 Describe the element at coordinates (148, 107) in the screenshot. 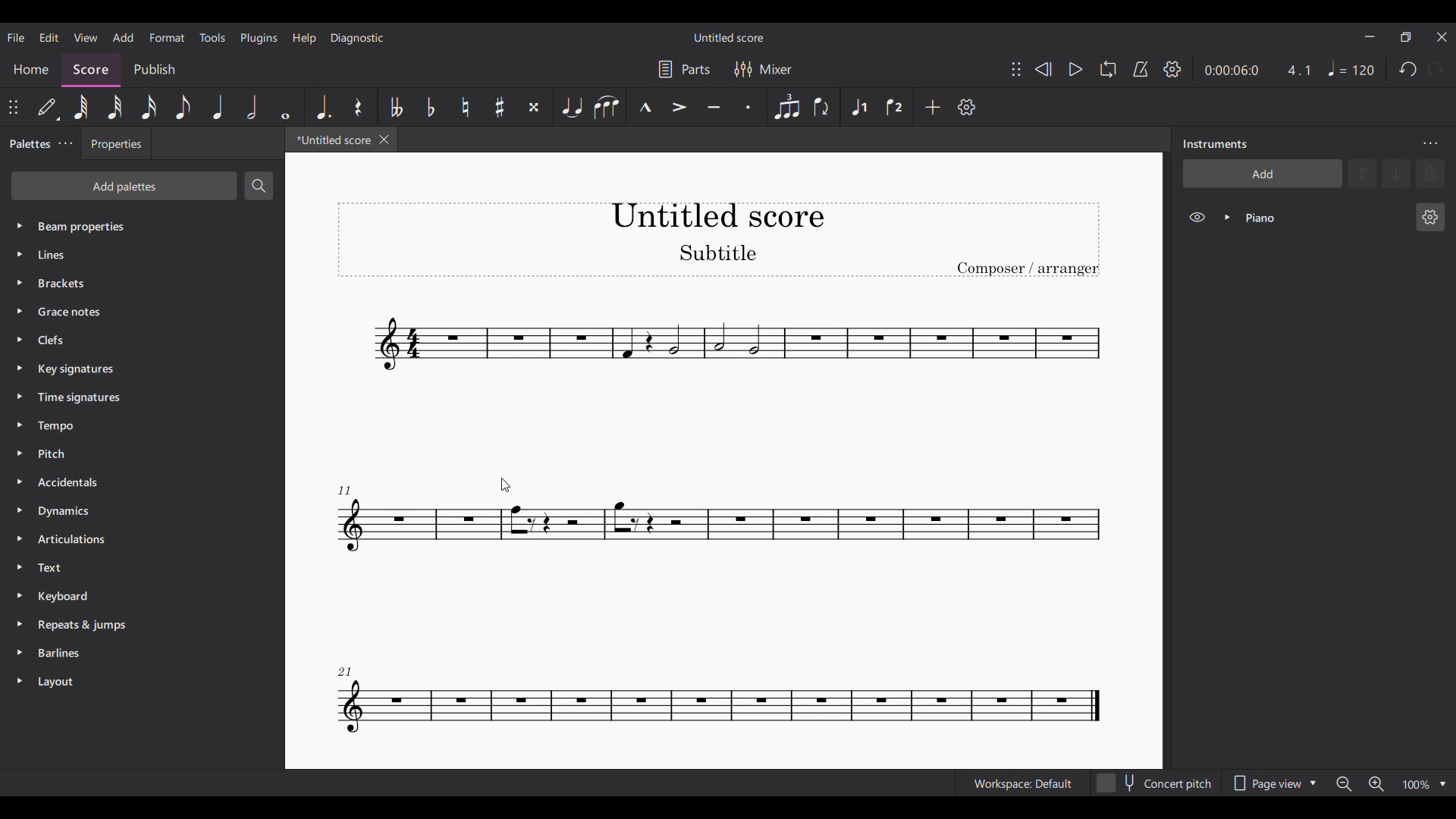

I see `16th note` at that location.